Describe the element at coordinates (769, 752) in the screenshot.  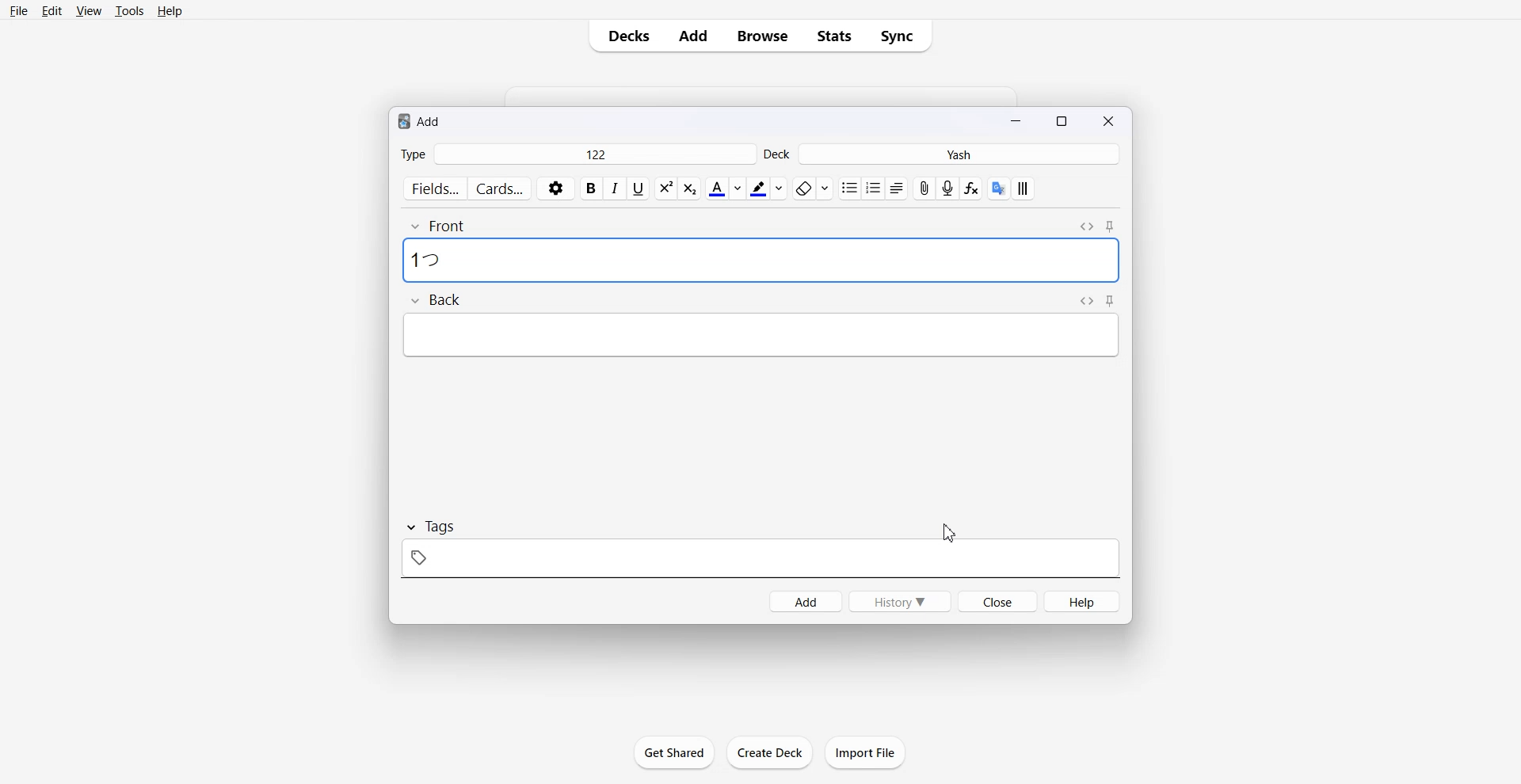
I see `Create Deck` at that location.